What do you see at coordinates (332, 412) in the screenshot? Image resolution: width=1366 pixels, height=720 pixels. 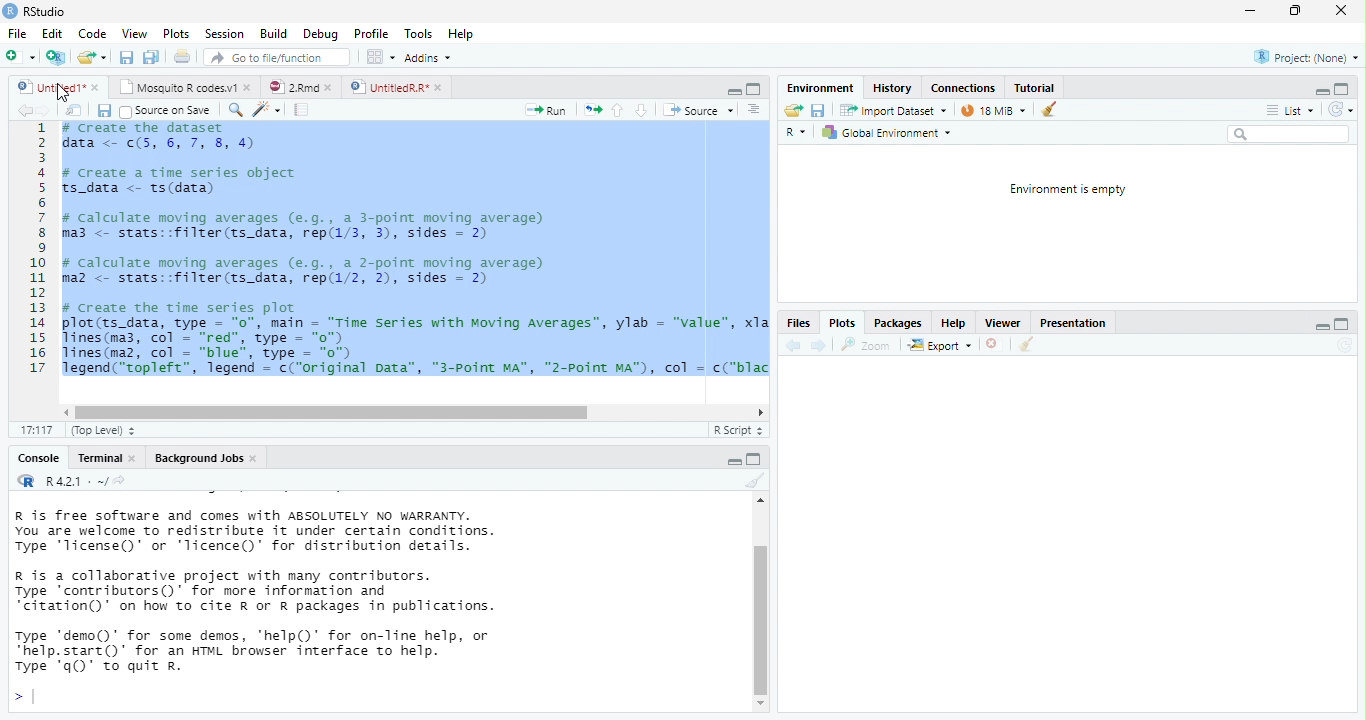 I see `horizontal scrollbar` at bounding box center [332, 412].